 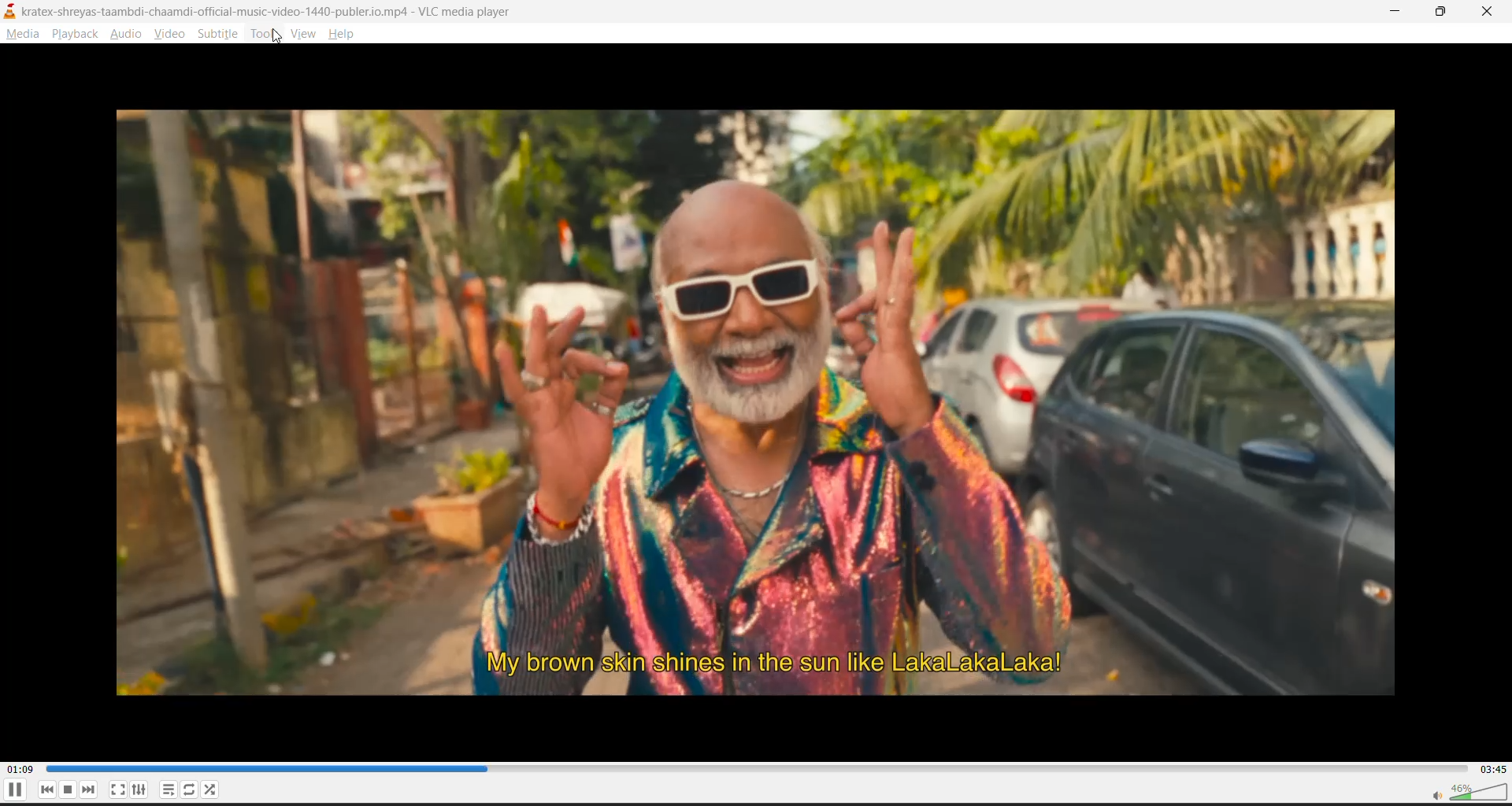 I want to click on tools, so click(x=262, y=35).